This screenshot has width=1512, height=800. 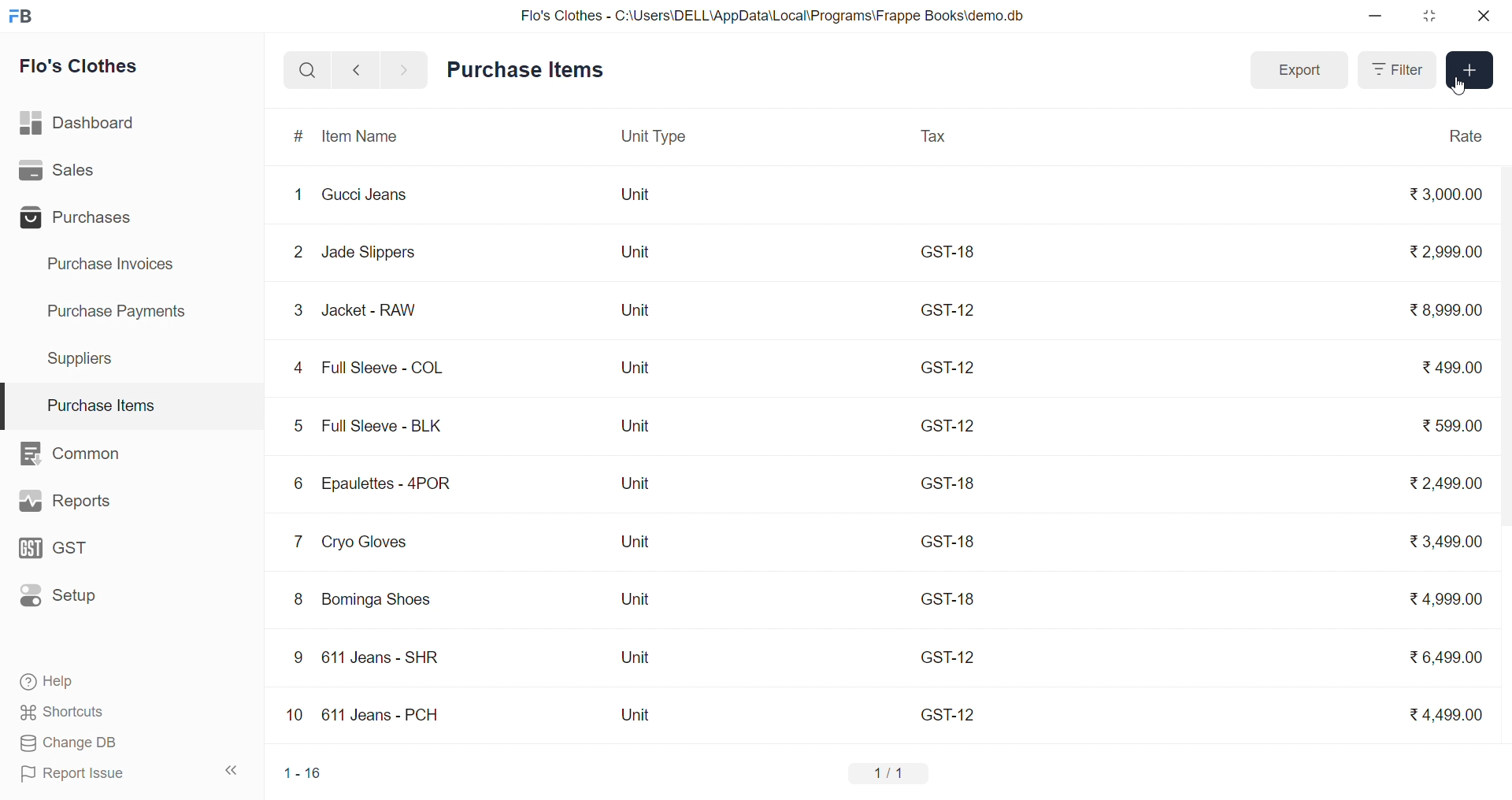 I want to click on cursor, so click(x=1462, y=87).